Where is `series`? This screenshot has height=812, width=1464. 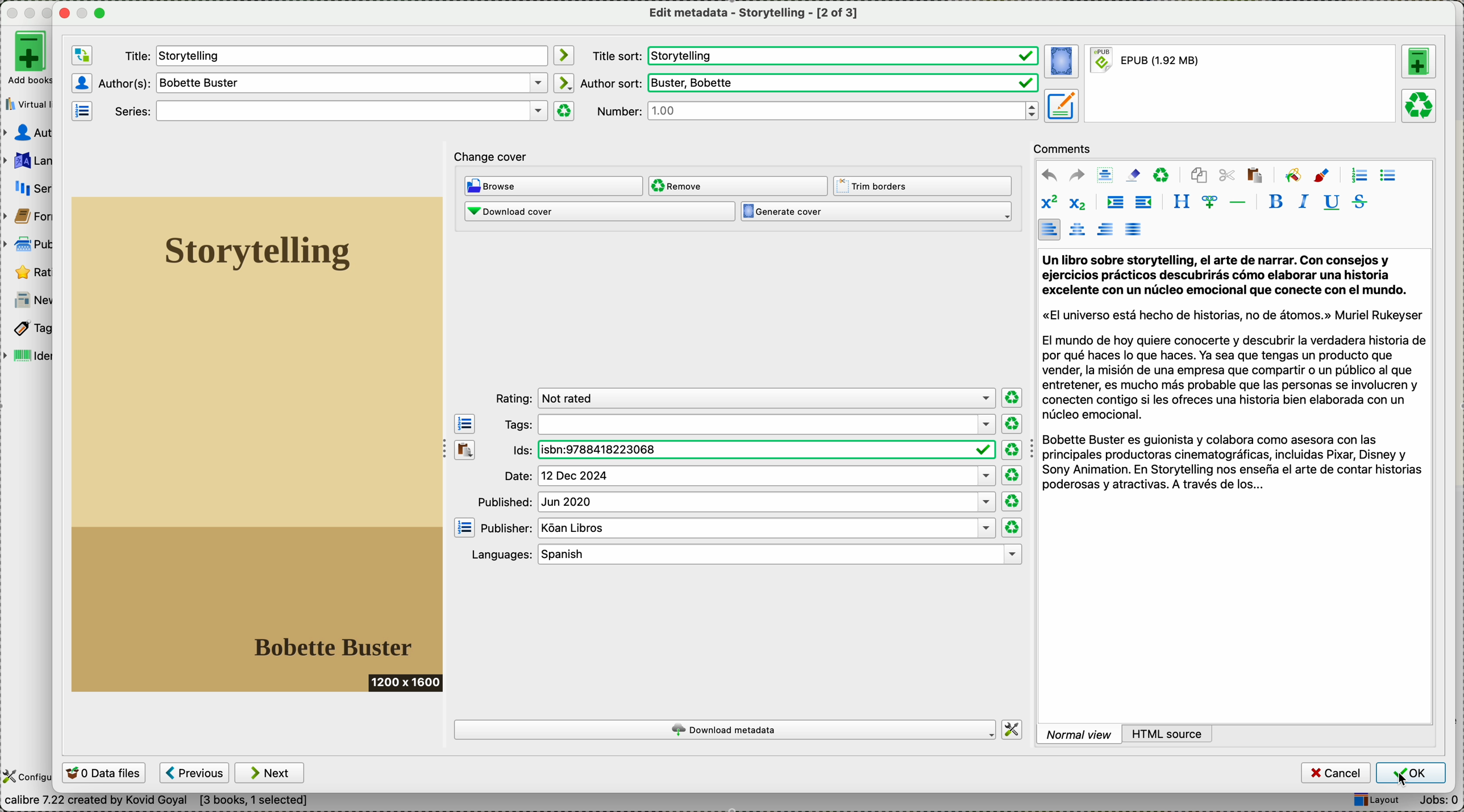 series is located at coordinates (36, 185).